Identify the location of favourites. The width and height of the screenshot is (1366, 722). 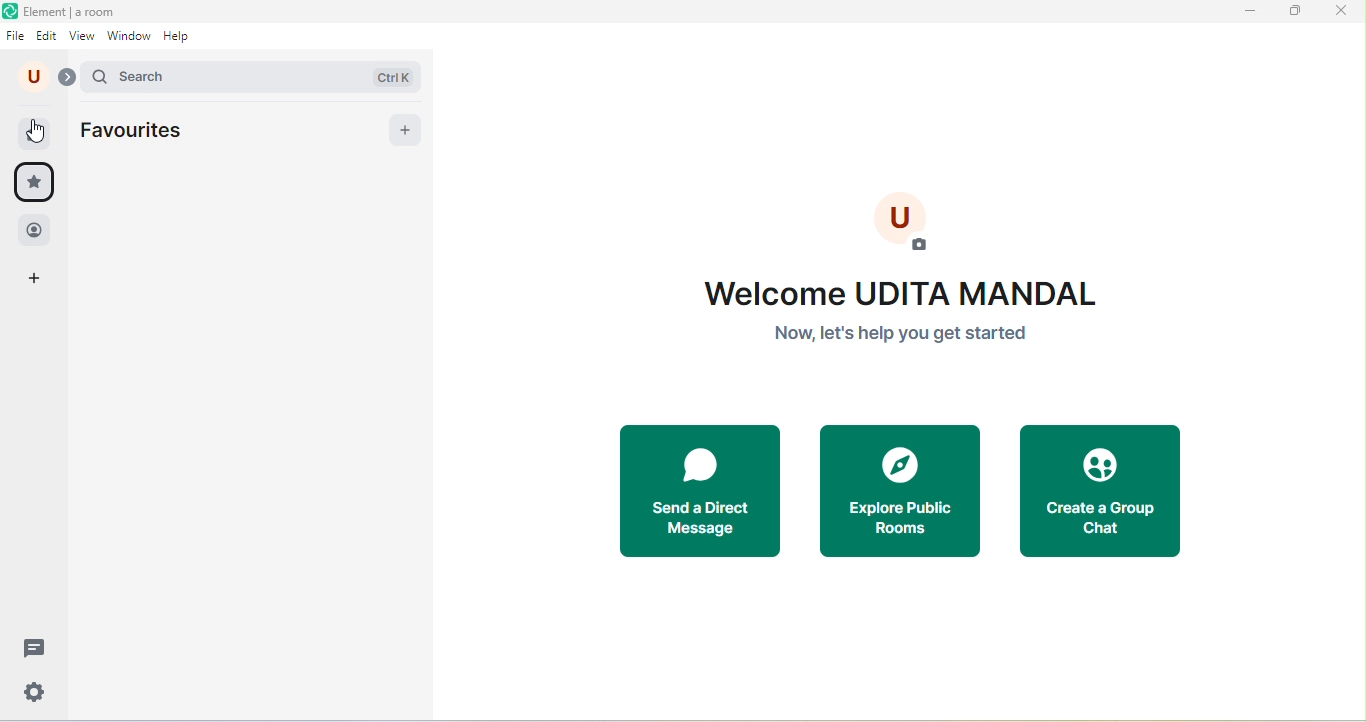
(34, 183).